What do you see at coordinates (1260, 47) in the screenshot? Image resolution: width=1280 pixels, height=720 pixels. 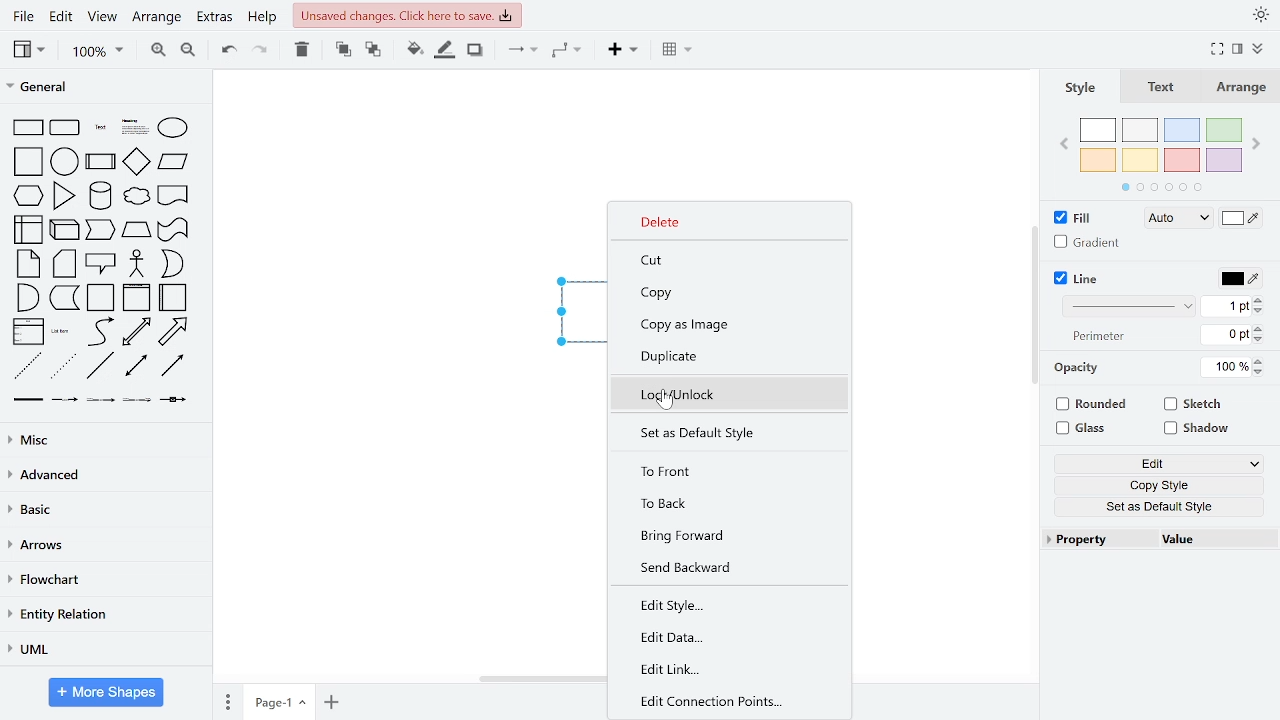 I see `collapse` at bounding box center [1260, 47].